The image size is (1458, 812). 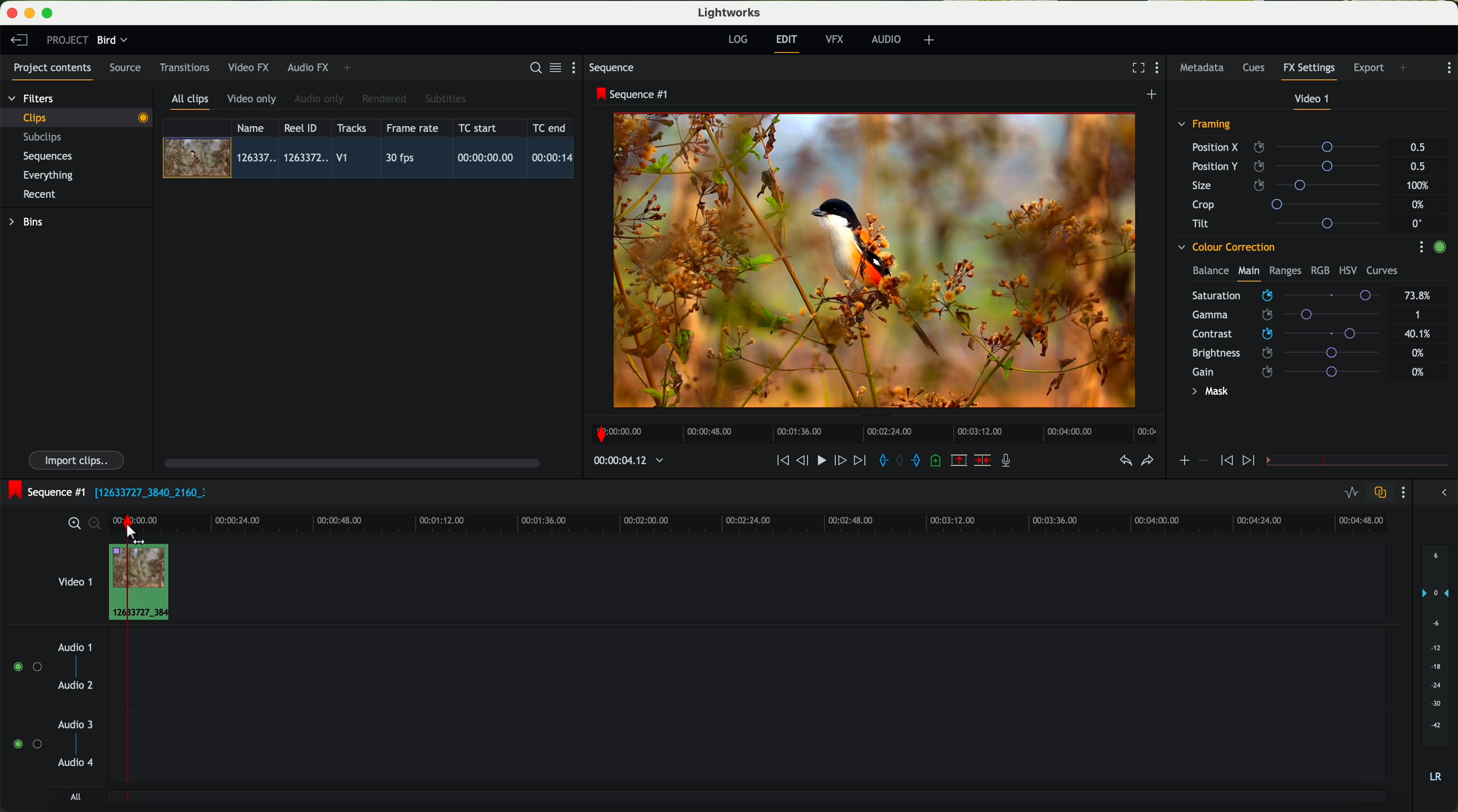 I want to click on audio 2, so click(x=76, y=686).